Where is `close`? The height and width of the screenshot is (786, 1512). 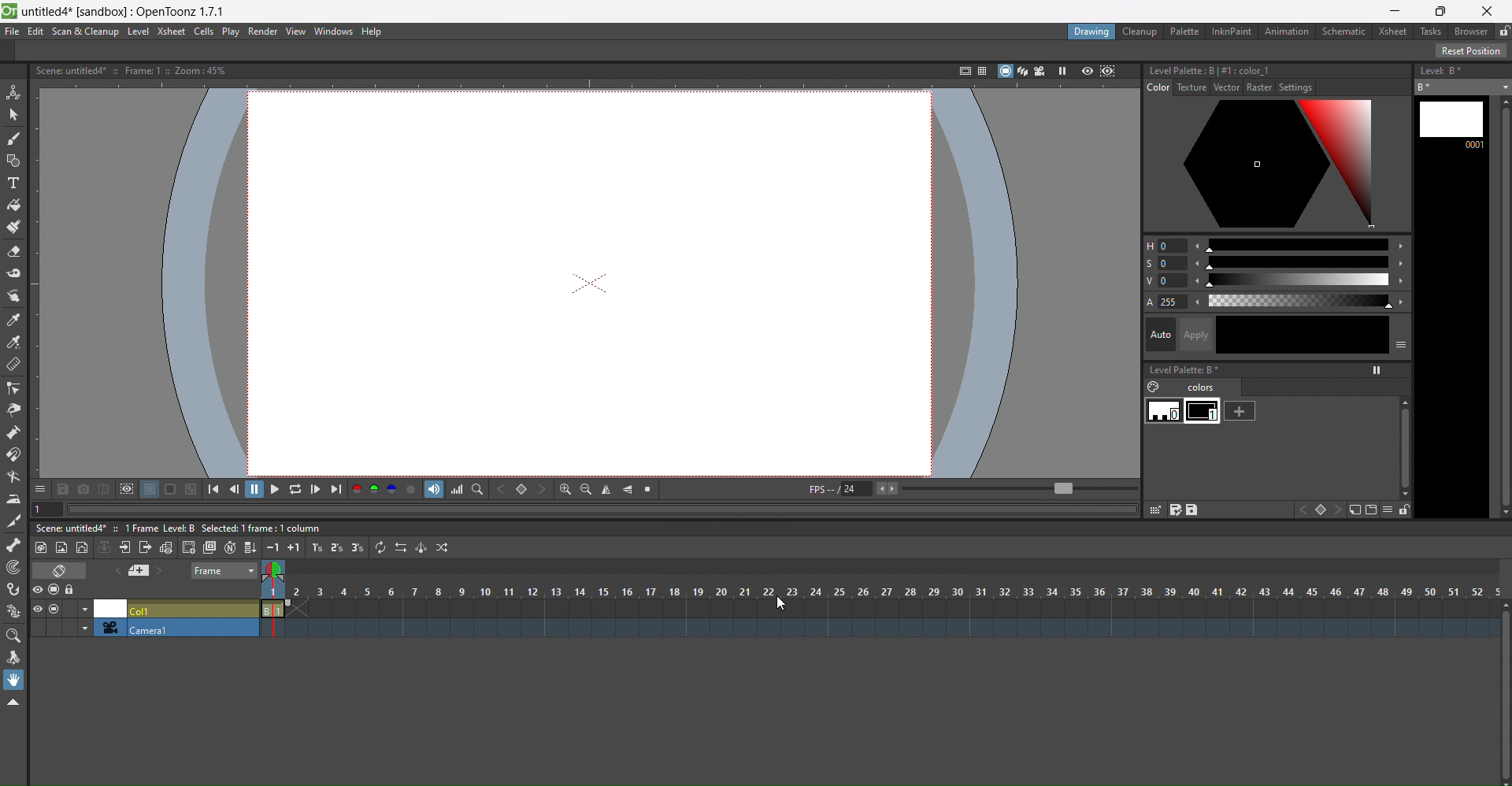
close is located at coordinates (1488, 11).